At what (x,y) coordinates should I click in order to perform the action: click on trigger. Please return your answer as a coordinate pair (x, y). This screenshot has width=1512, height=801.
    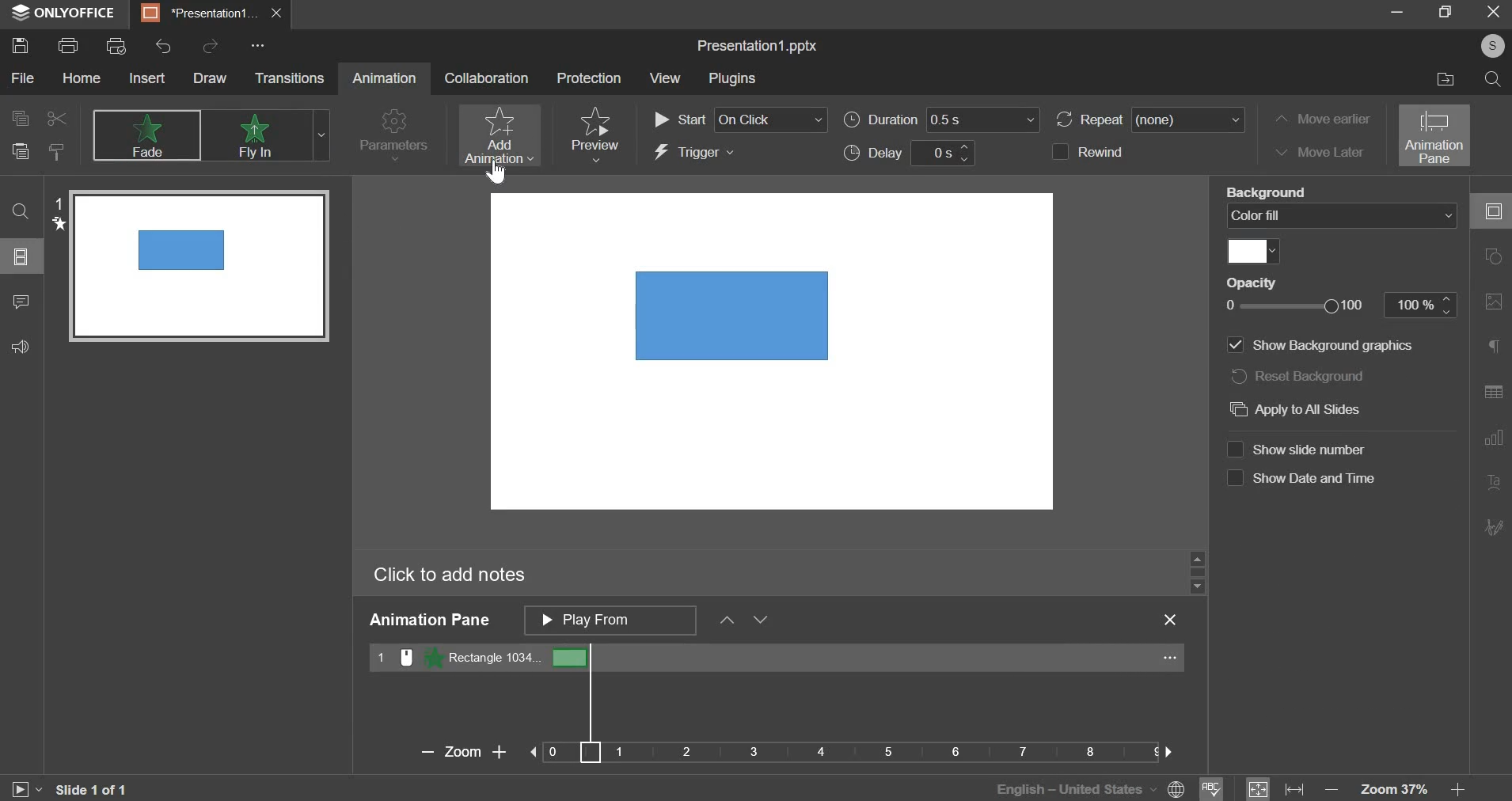
    Looking at the image, I should click on (697, 154).